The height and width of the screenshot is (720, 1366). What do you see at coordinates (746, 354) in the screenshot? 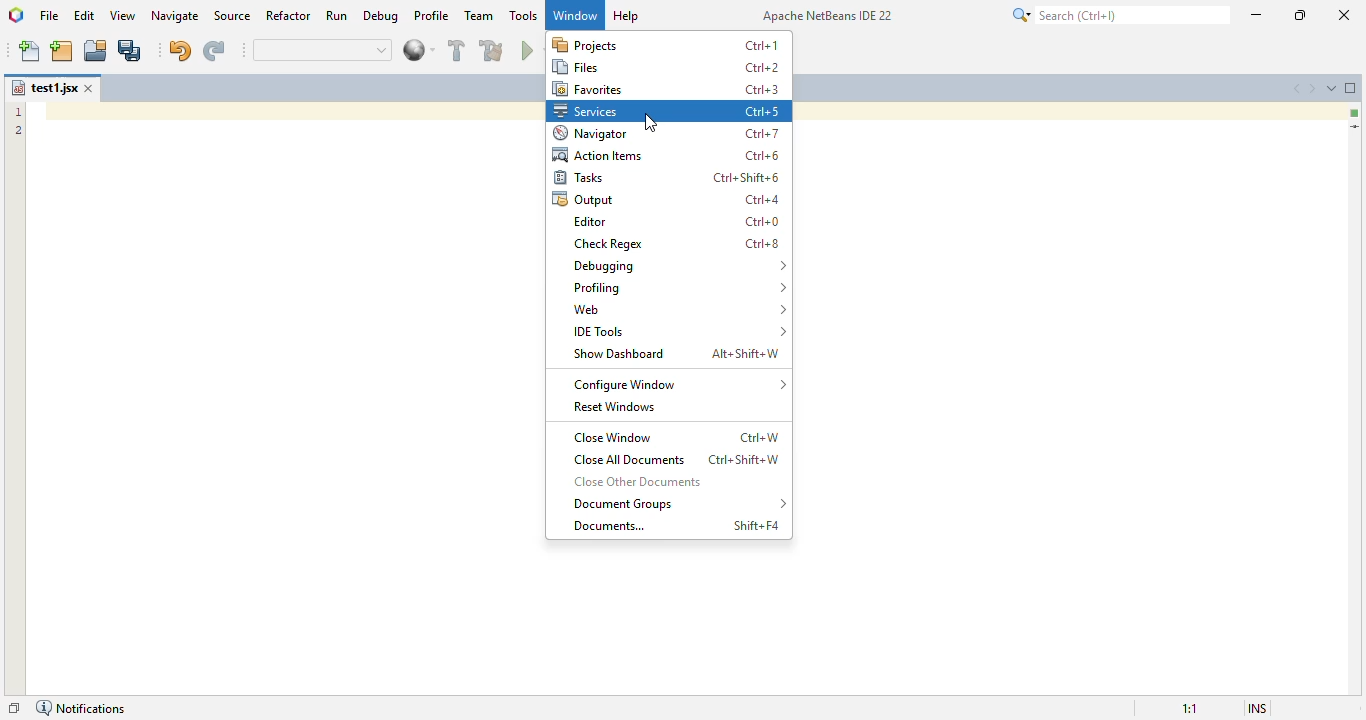
I see `shortcut for show dashboard` at bounding box center [746, 354].